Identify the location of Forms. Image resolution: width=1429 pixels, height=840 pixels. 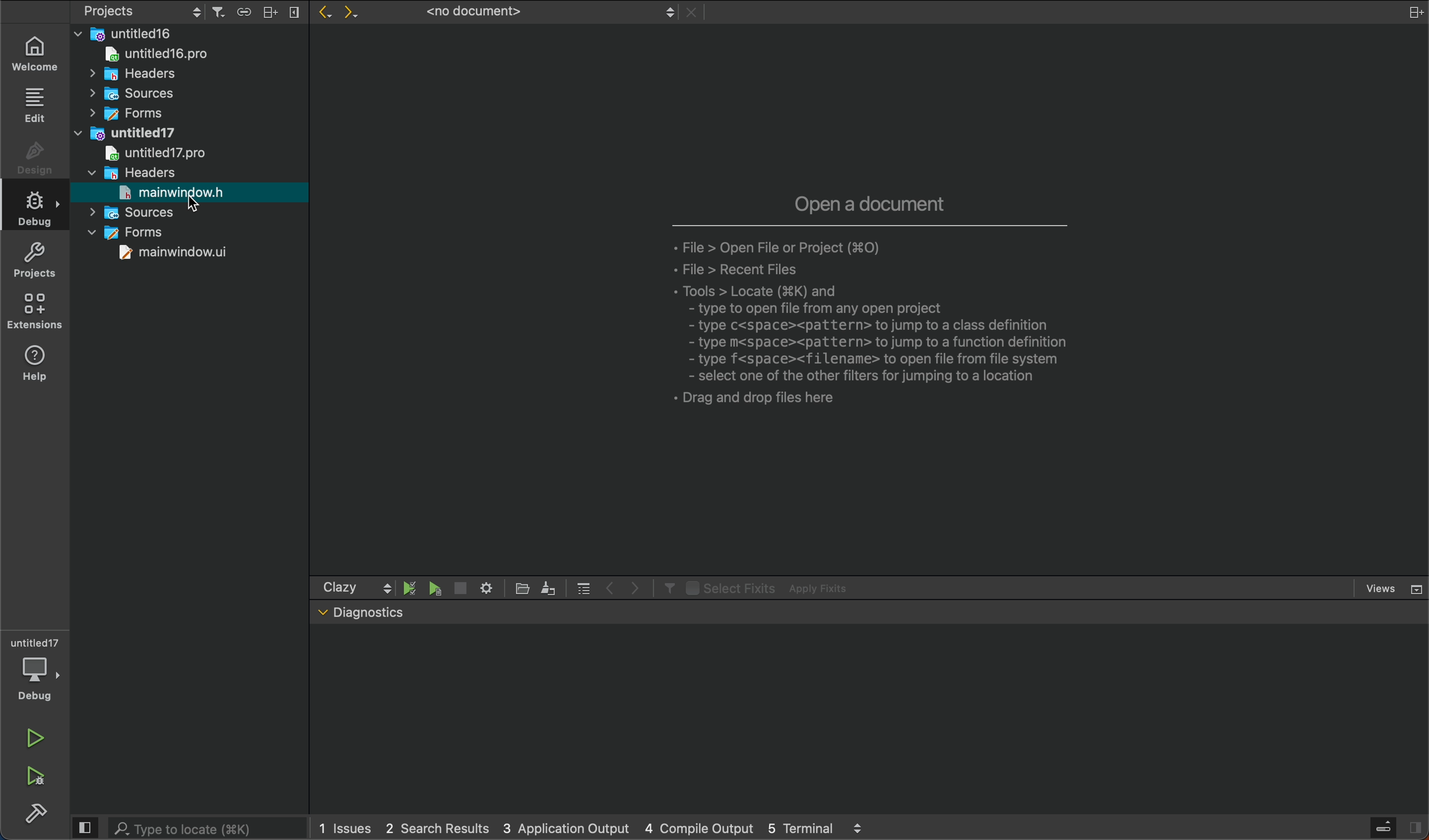
(132, 233).